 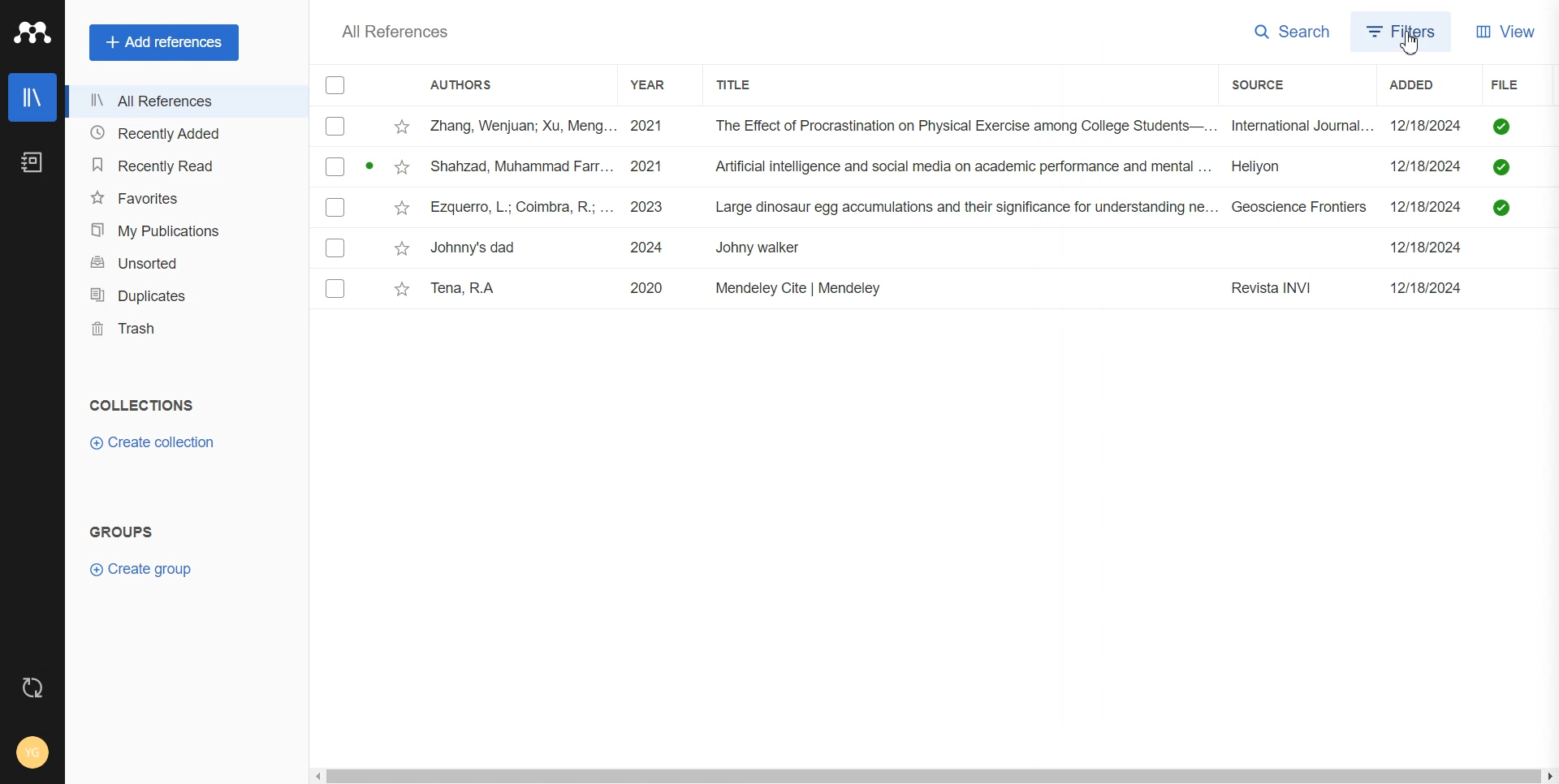 What do you see at coordinates (184, 134) in the screenshot?
I see `Recently Added` at bounding box center [184, 134].